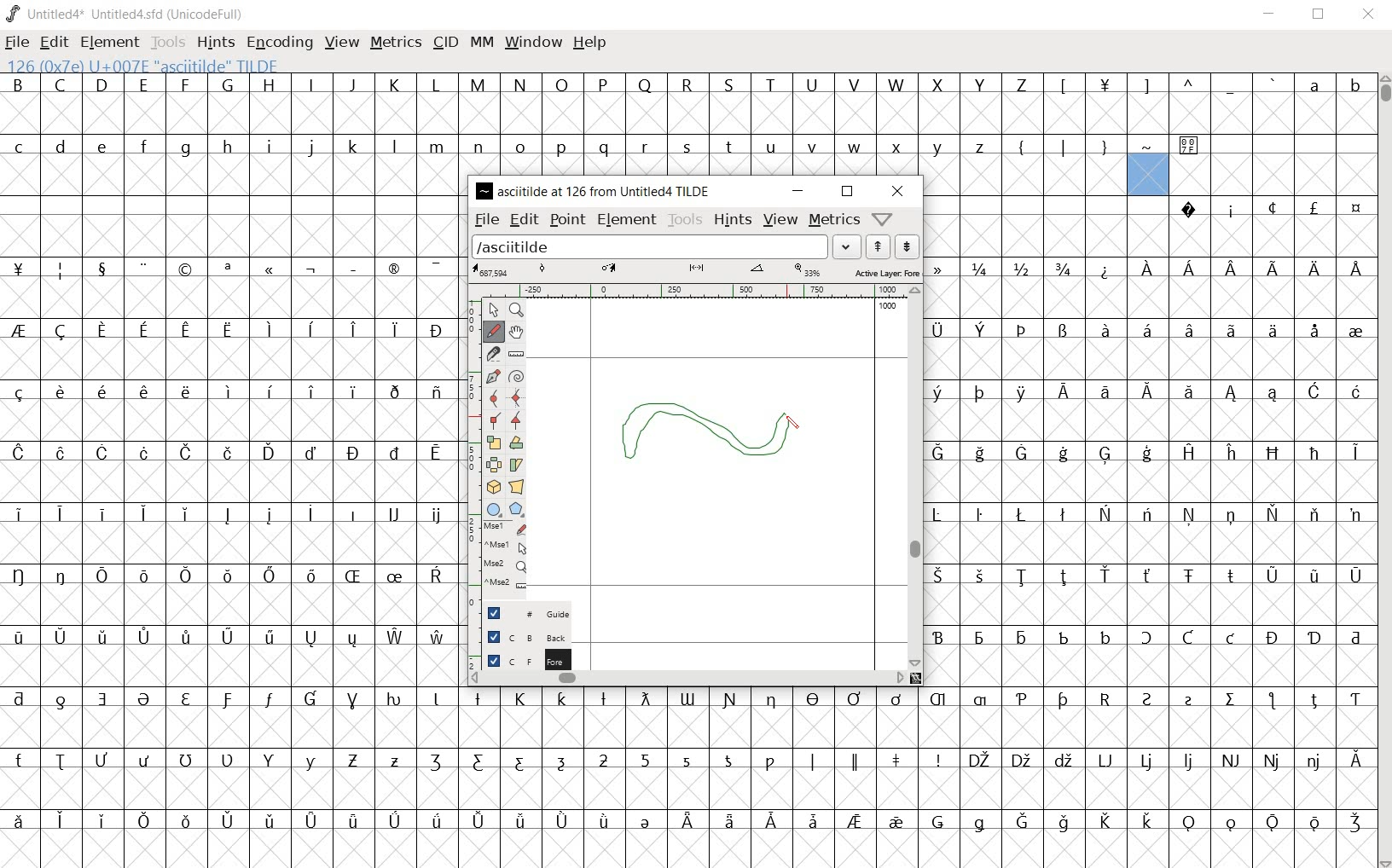 This screenshot has width=1392, height=868. What do you see at coordinates (797, 190) in the screenshot?
I see `minimize` at bounding box center [797, 190].